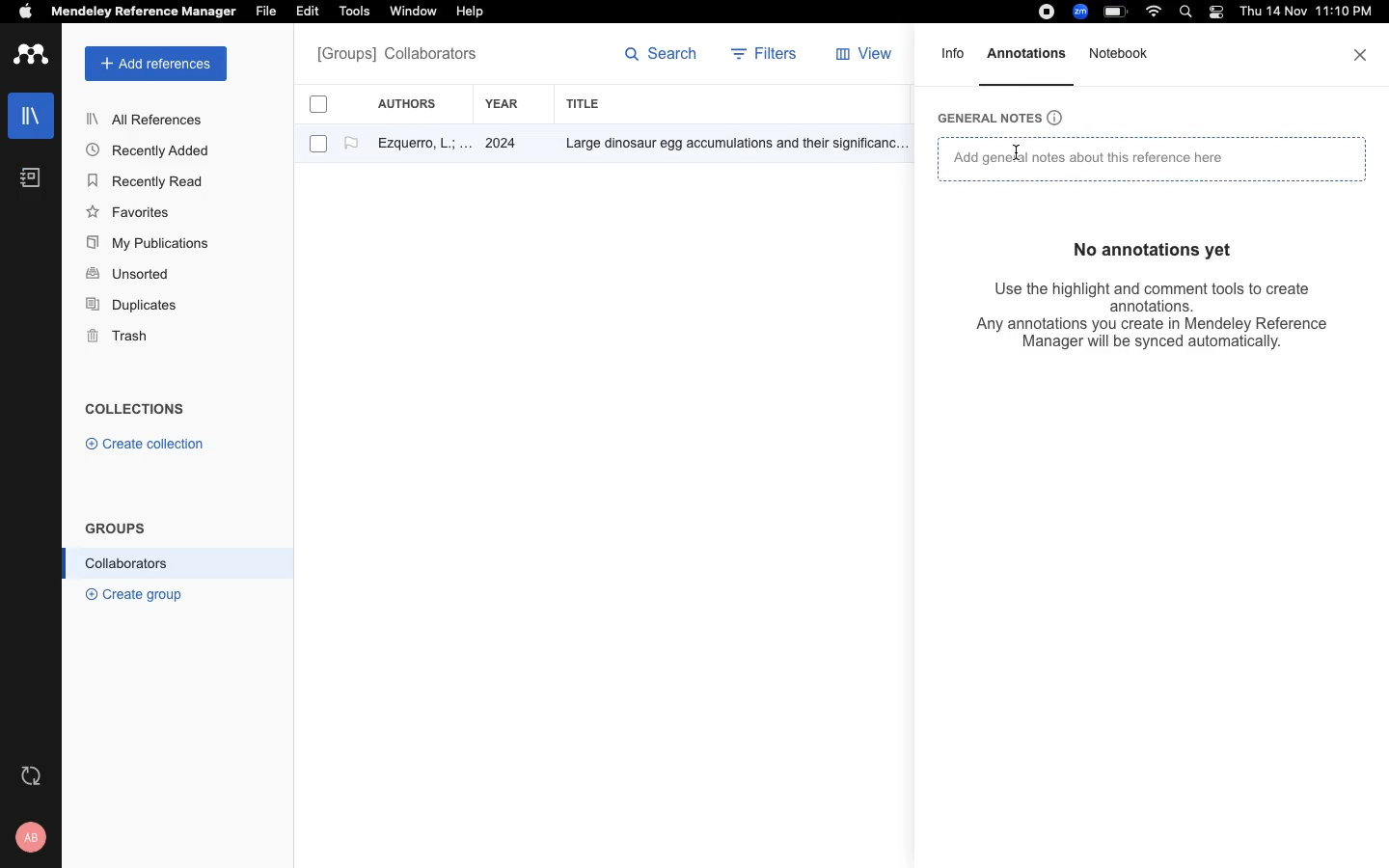 Image resolution: width=1389 pixels, height=868 pixels. Describe the element at coordinates (512, 104) in the screenshot. I see `year` at that location.